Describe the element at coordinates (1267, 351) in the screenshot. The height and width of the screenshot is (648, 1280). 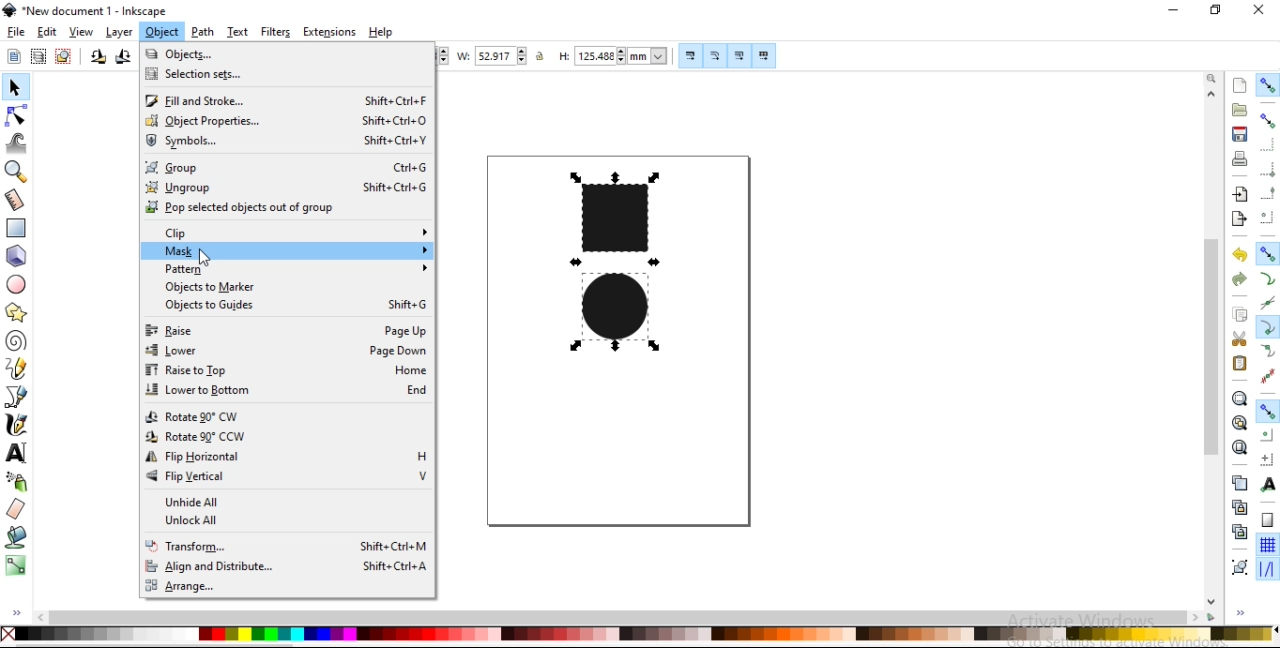
I see `snap smooth nodes` at that location.